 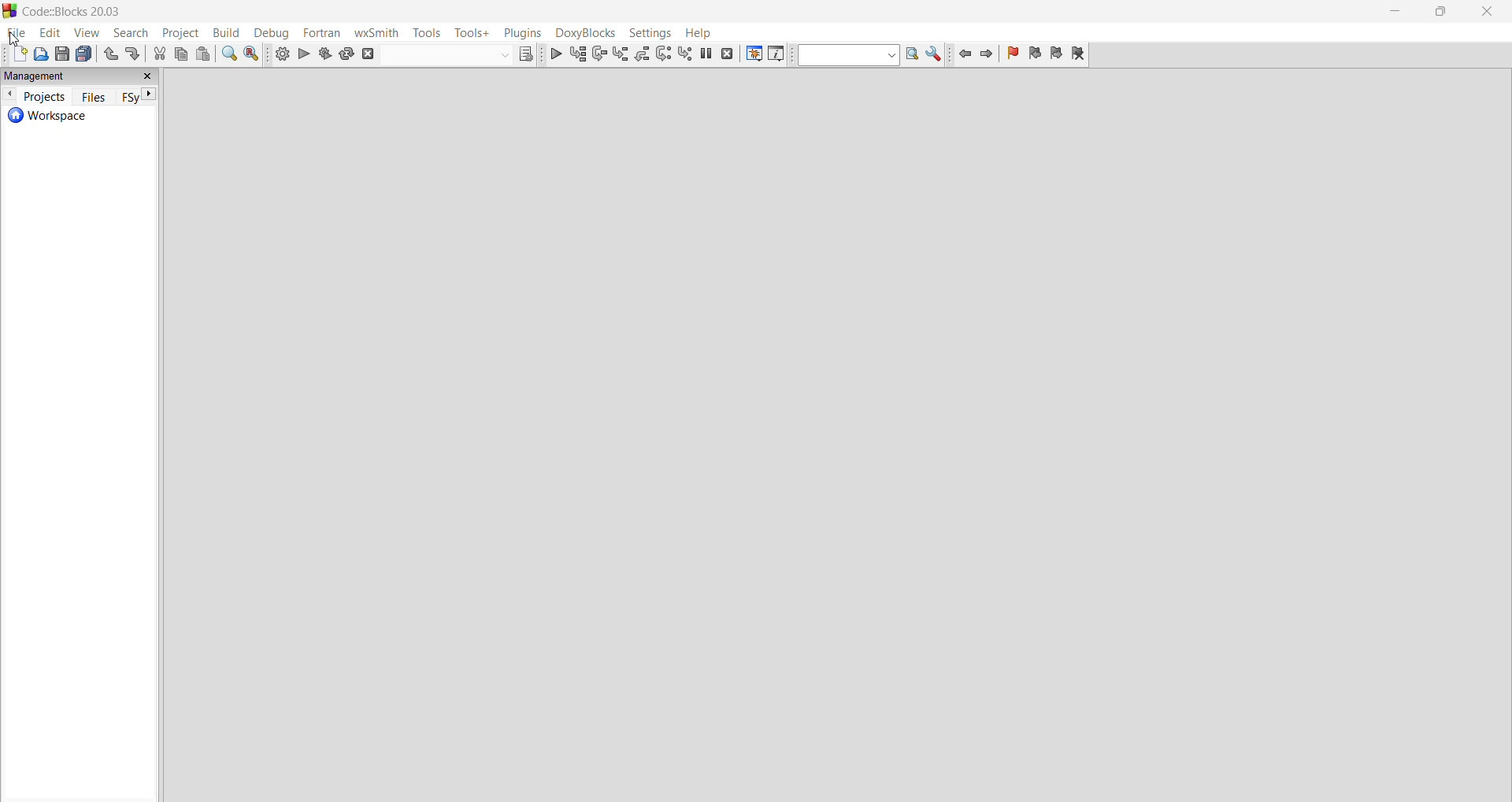 I want to click on save, so click(x=62, y=55).